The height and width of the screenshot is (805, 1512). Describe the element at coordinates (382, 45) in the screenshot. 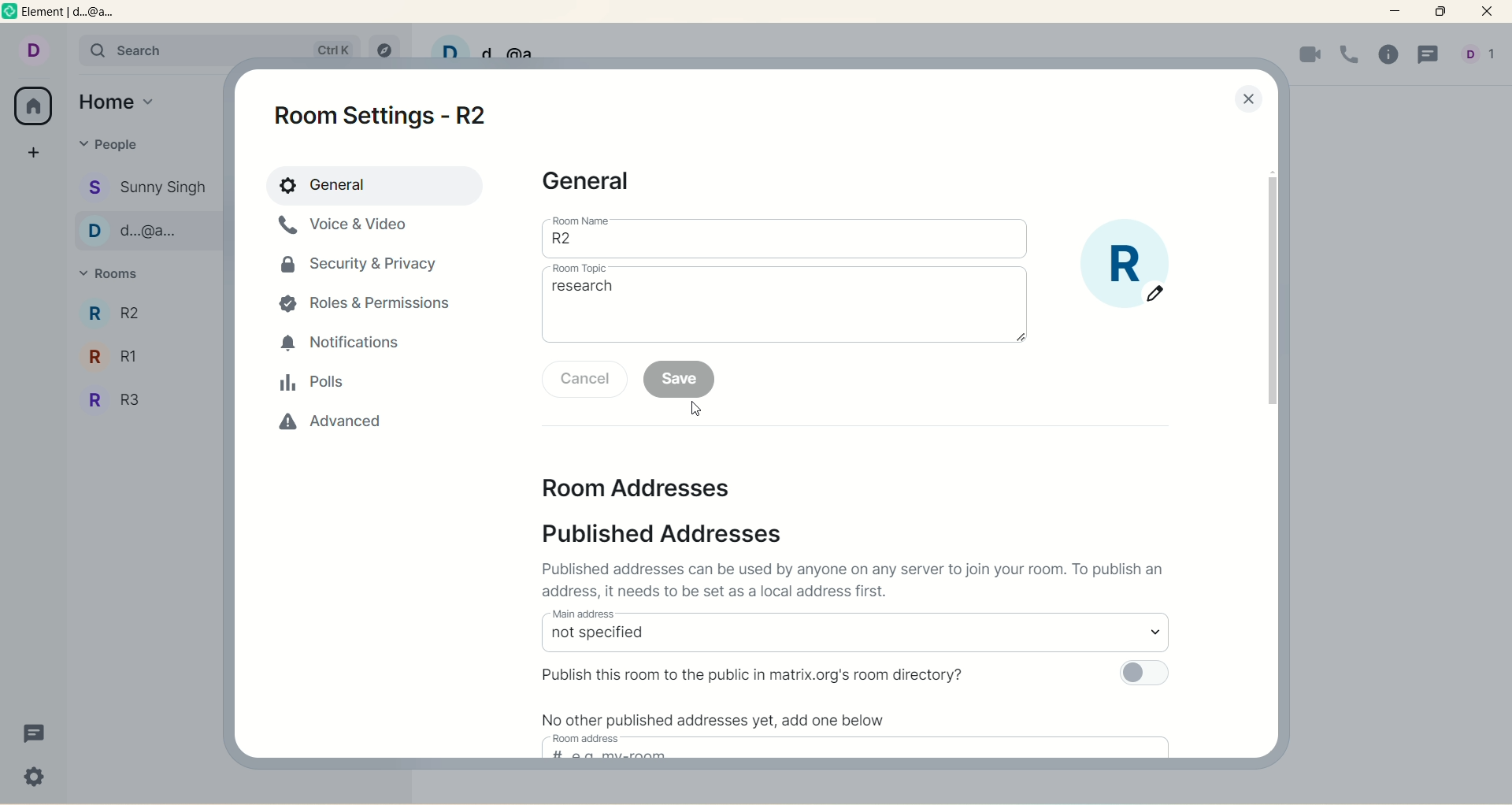

I see `explore rooms` at that location.